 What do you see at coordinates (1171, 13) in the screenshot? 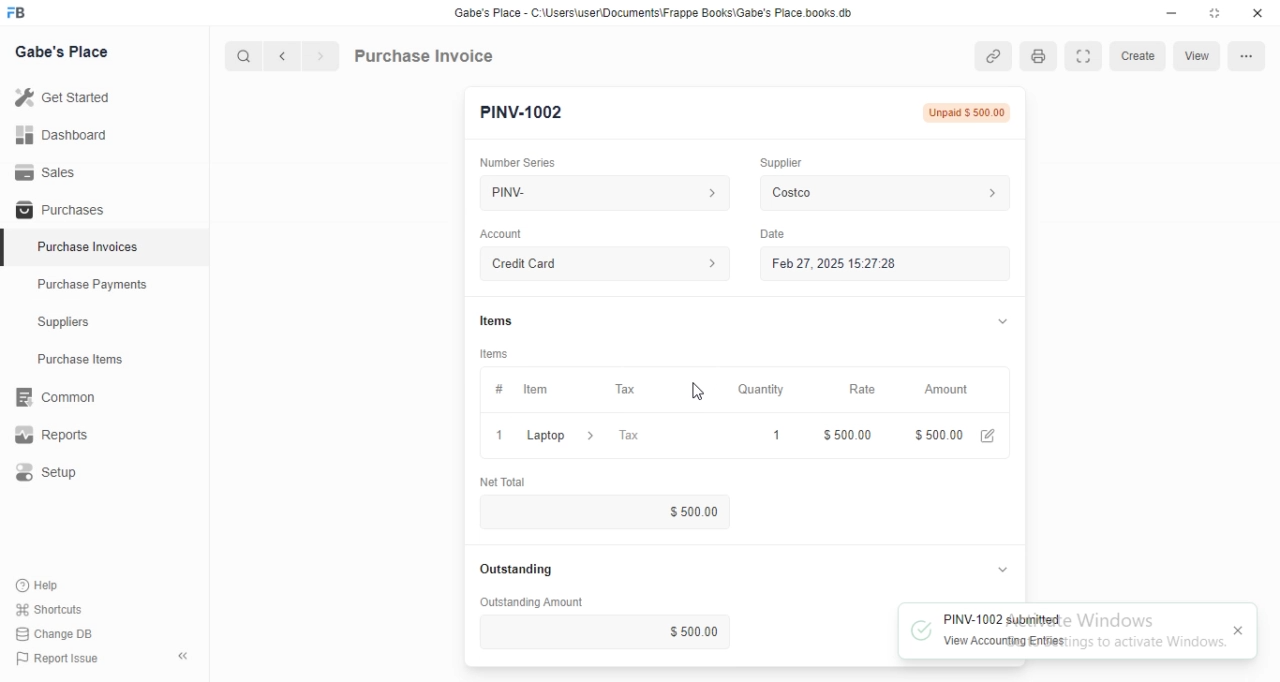
I see `Minimize` at bounding box center [1171, 13].